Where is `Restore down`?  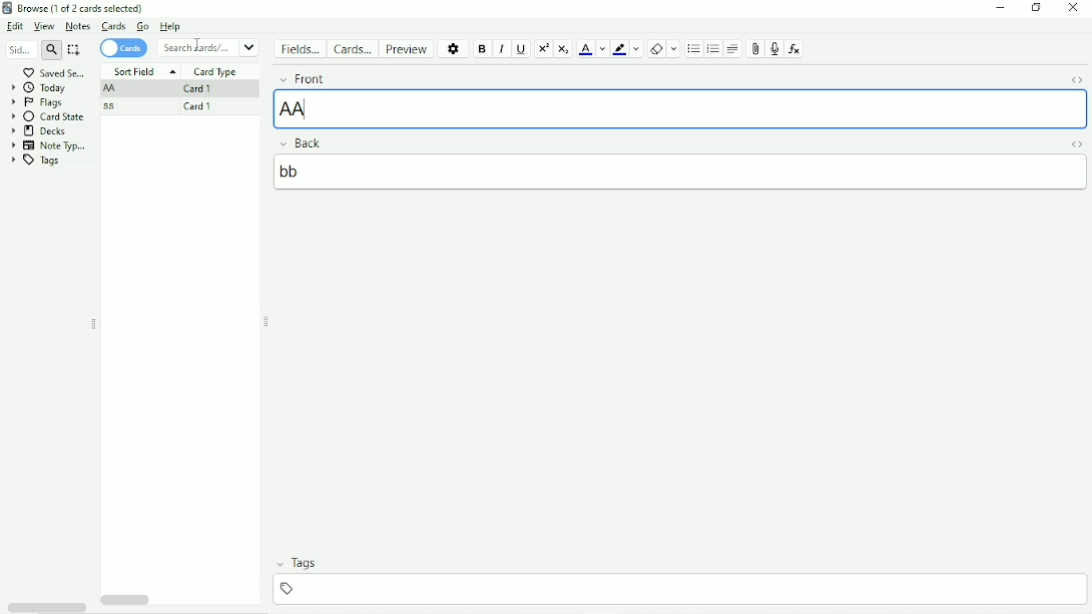
Restore down is located at coordinates (1038, 8).